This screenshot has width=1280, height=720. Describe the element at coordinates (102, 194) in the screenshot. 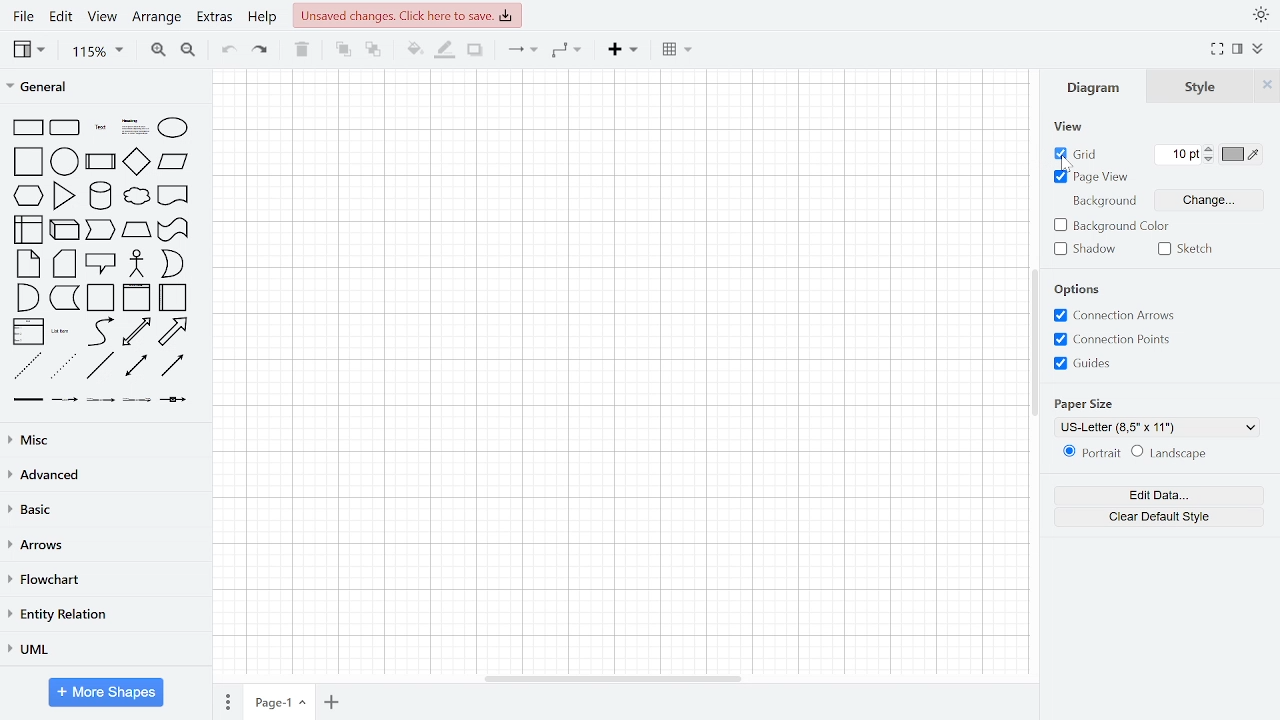

I see `cylinder` at that location.